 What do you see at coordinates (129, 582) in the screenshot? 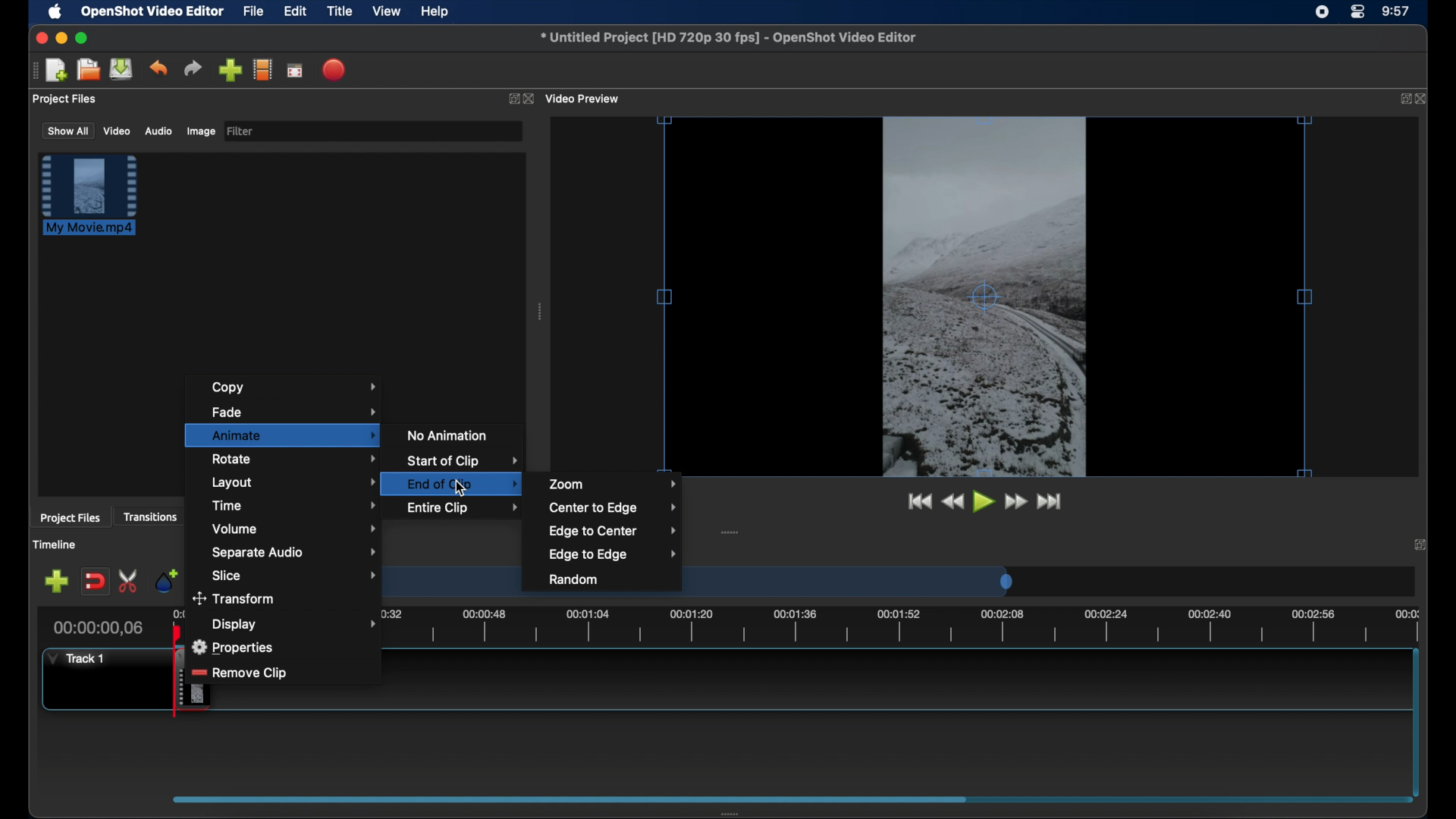
I see `enable razor` at bounding box center [129, 582].